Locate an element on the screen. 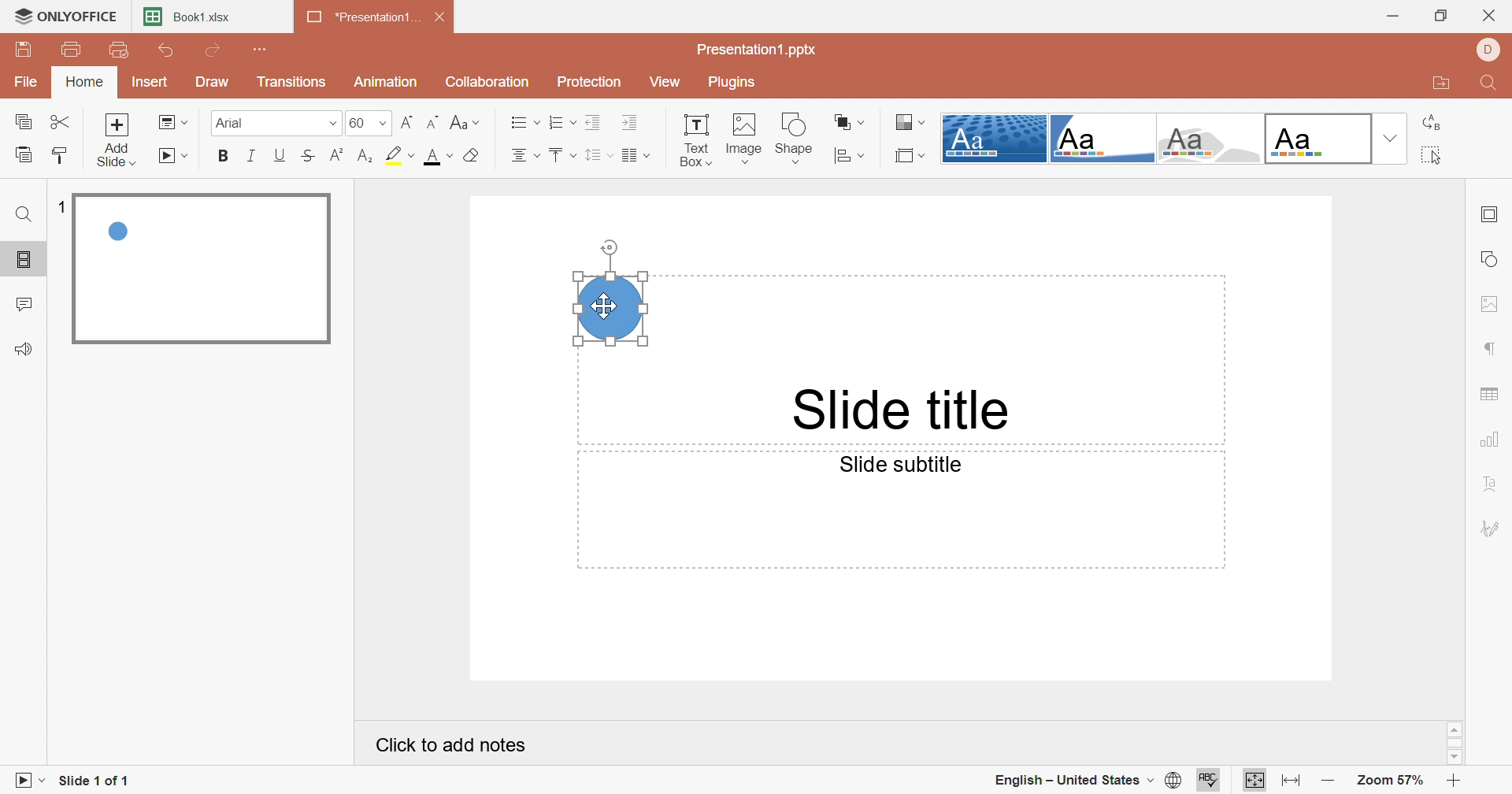  Presentation.pptx is located at coordinates (757, 48).